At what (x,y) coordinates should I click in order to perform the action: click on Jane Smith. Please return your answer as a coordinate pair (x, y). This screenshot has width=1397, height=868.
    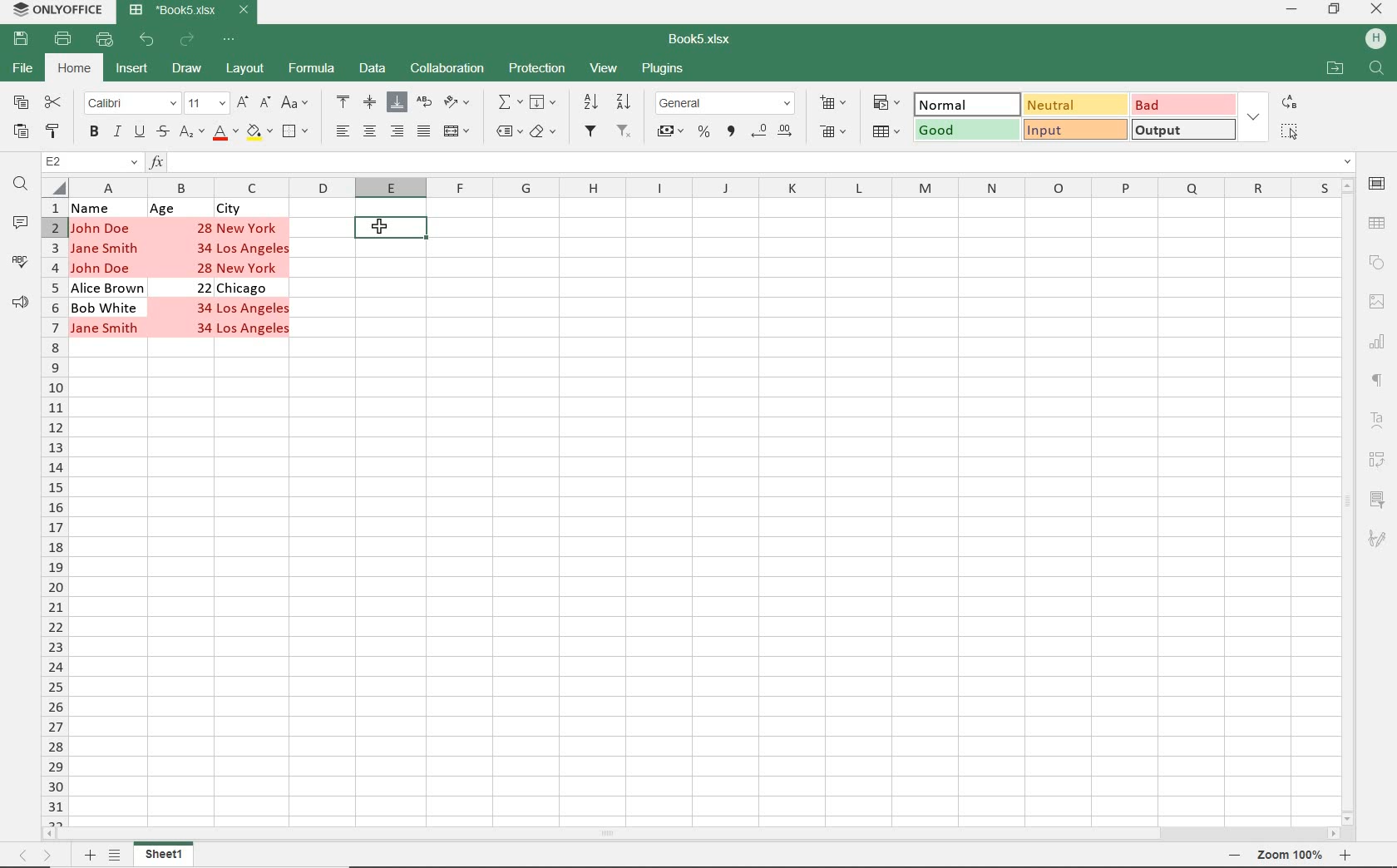
    Looking at the image, I should click on (104, 330).